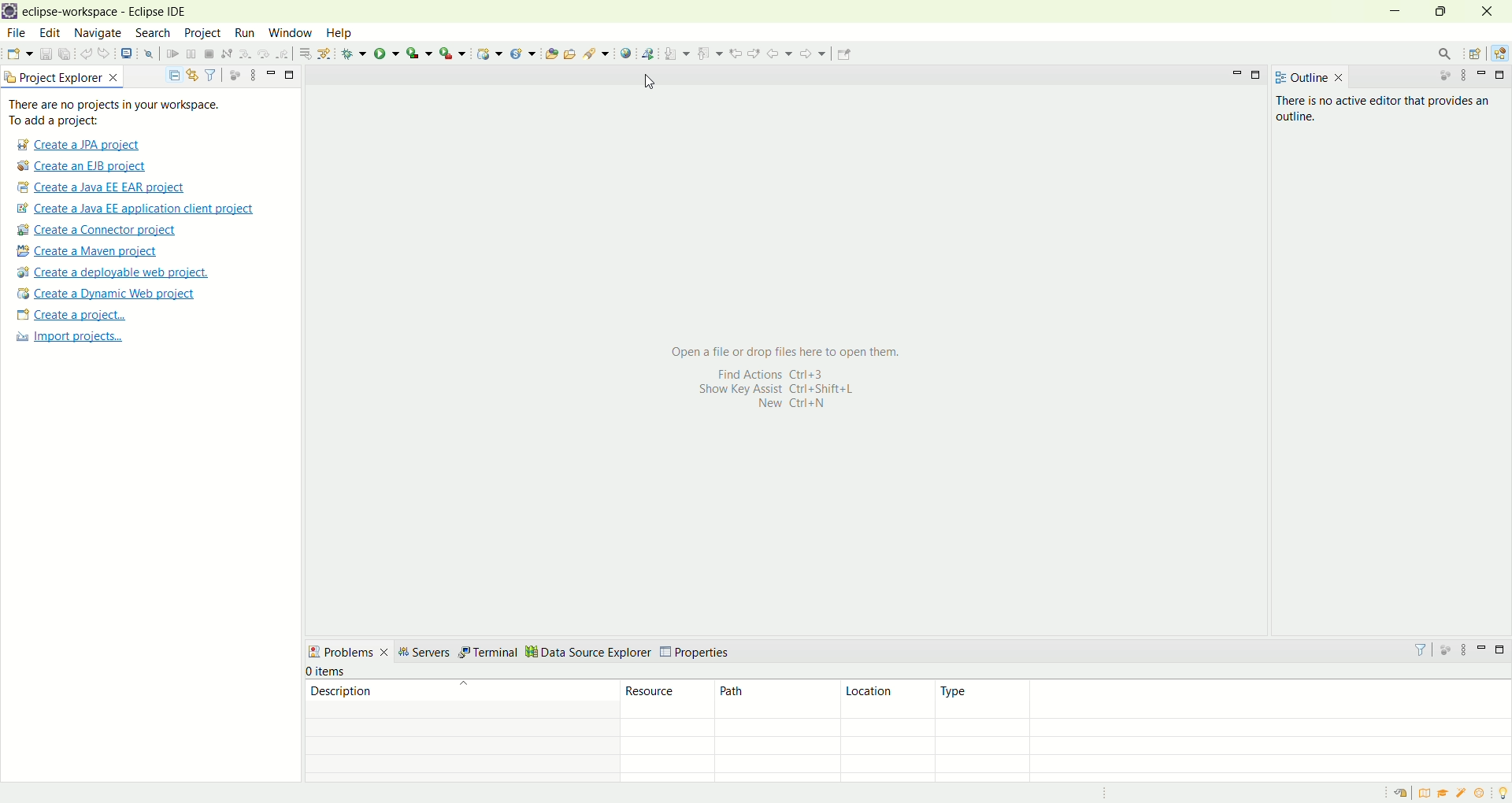  Describe the element at coordinates (739, 54) in the screenshot. I see `previous edit location` at that location.